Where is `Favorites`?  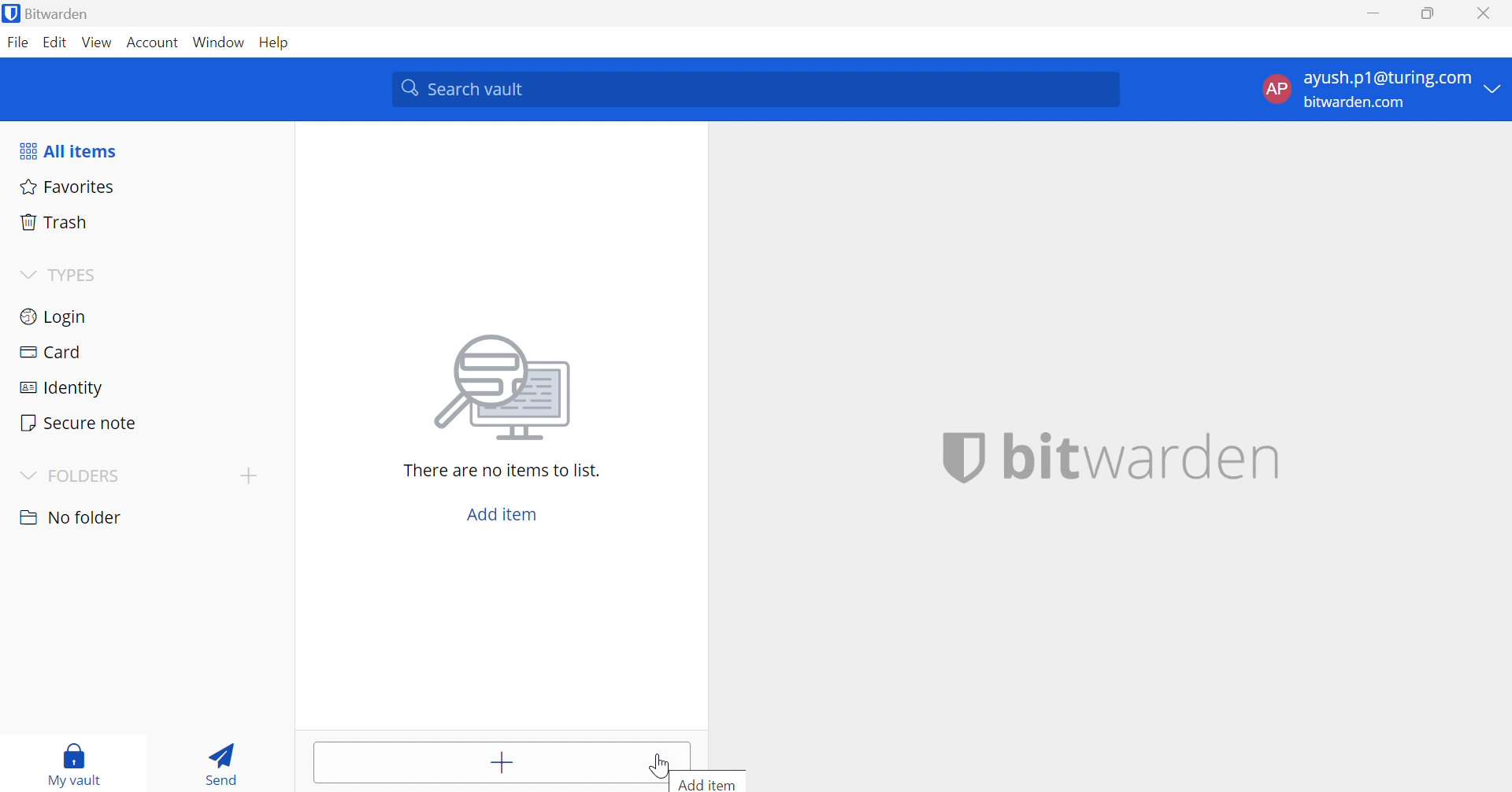 Favorites is located at coordinates (146, 188).